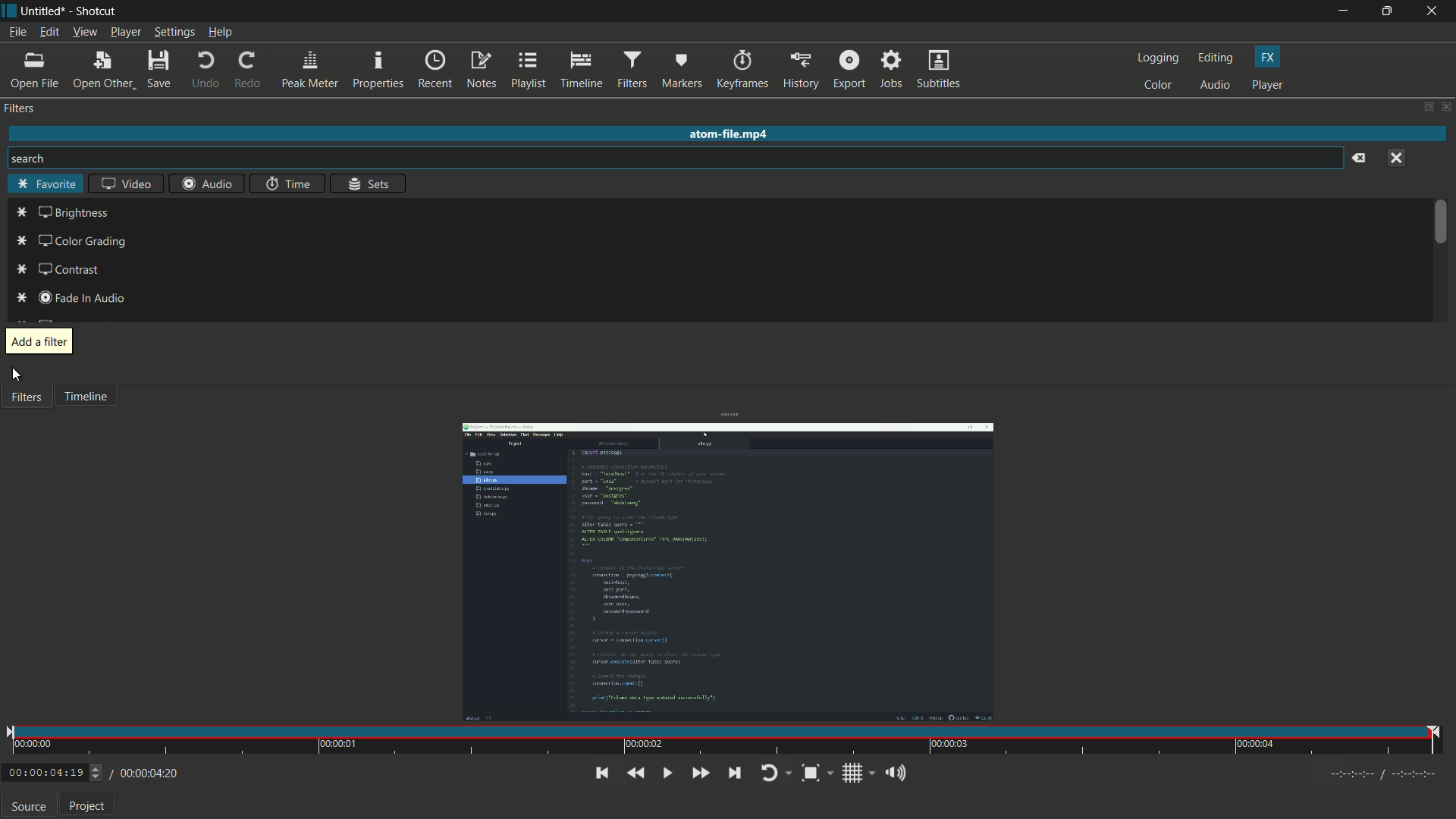 Image resolution: width=1456 pixels, height=819 pixels. What do you see at coordinates (726, 572) in the screenshot?
I see `opened file` at bounding box center [726, 572].